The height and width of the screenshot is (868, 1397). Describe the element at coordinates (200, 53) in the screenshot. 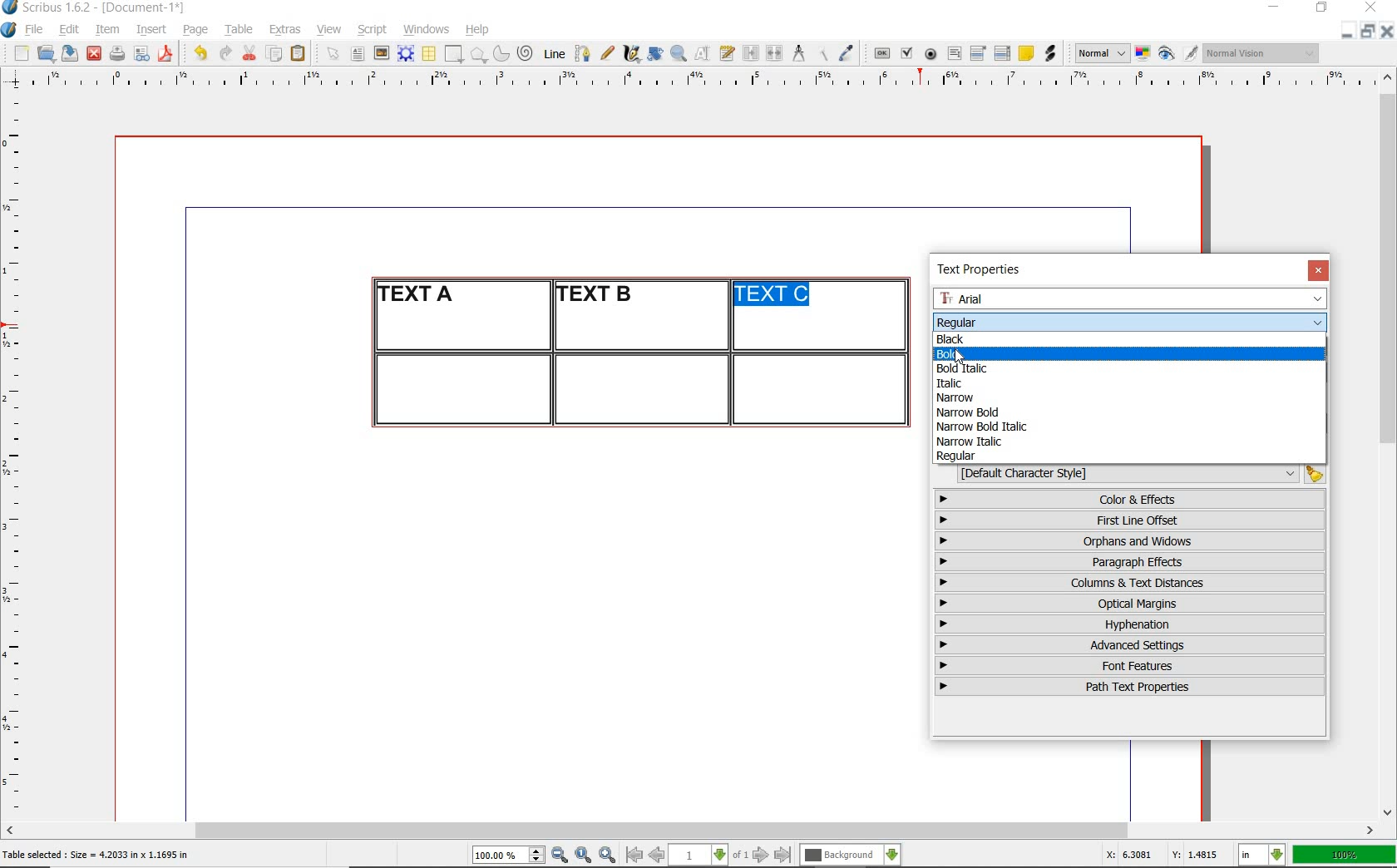

I see `undo` at that location.